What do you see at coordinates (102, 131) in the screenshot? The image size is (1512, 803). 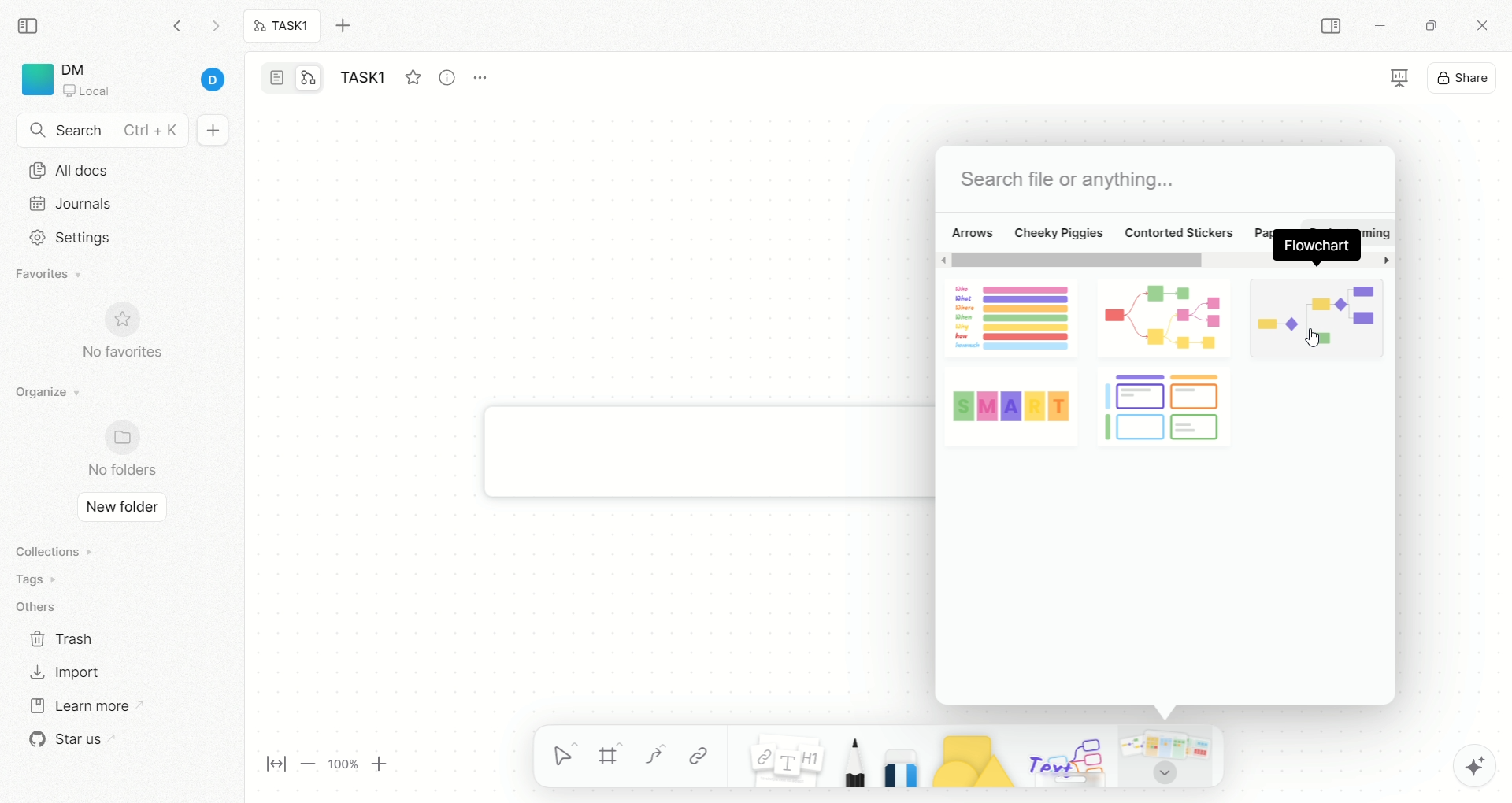 I see `search` at bounding box center [102, 131].